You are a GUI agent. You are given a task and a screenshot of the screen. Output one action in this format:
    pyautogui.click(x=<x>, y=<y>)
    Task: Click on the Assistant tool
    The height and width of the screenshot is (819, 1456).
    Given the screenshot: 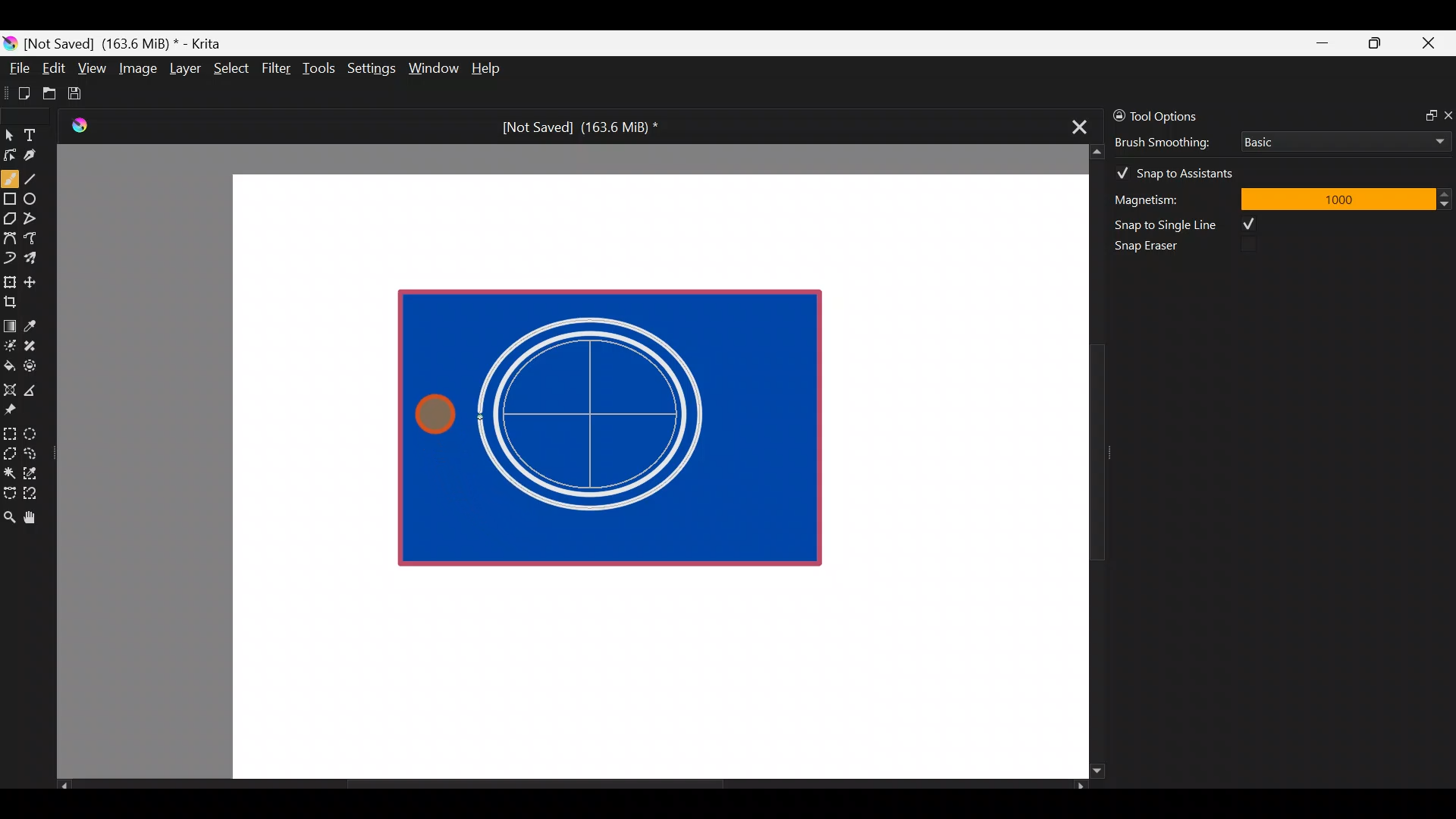 What is the action you would take?
    pyautogui.click(x=9, y=385)
    